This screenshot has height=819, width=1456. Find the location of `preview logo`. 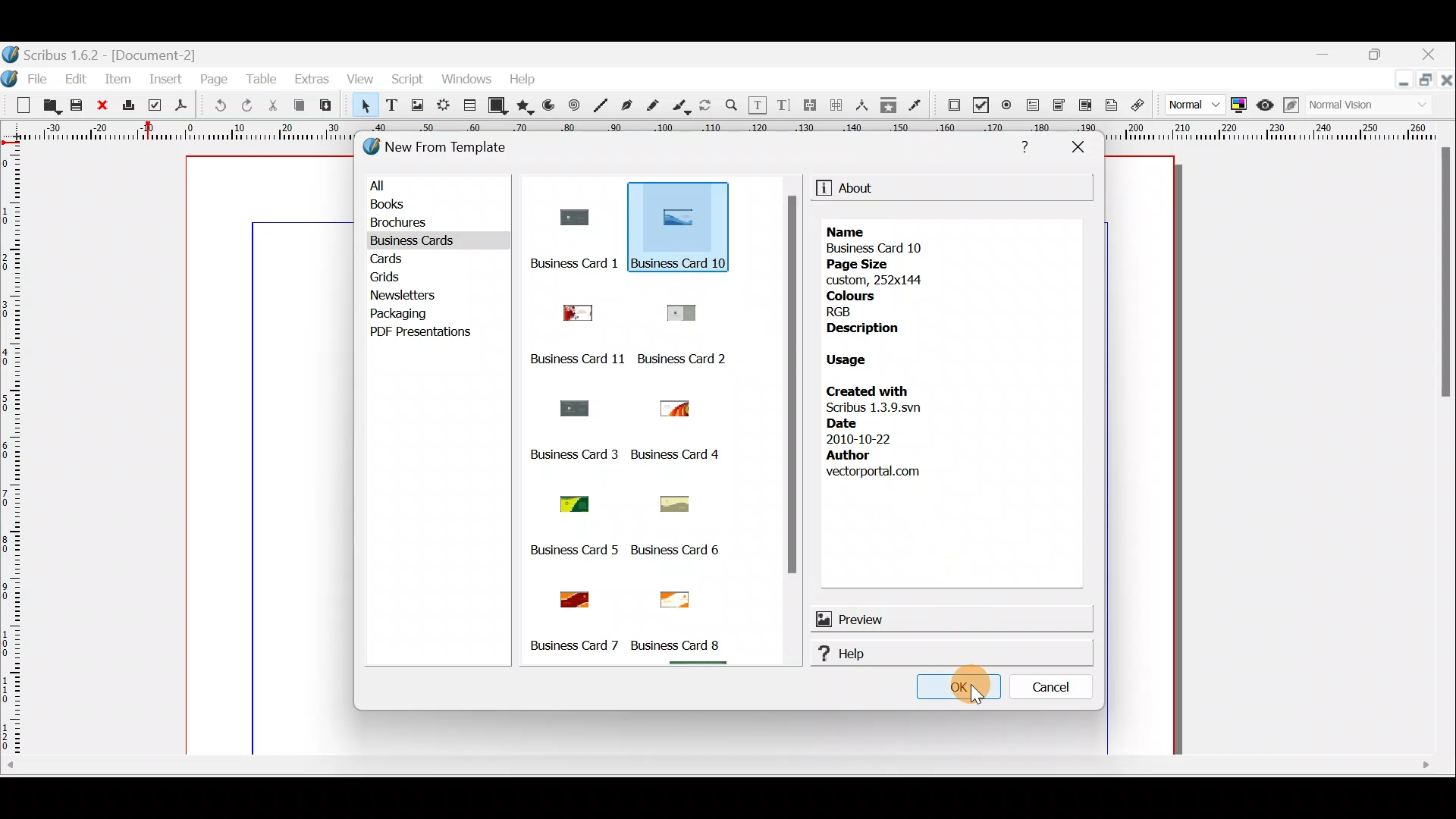

preview logo is located at coordinates (822, 618).